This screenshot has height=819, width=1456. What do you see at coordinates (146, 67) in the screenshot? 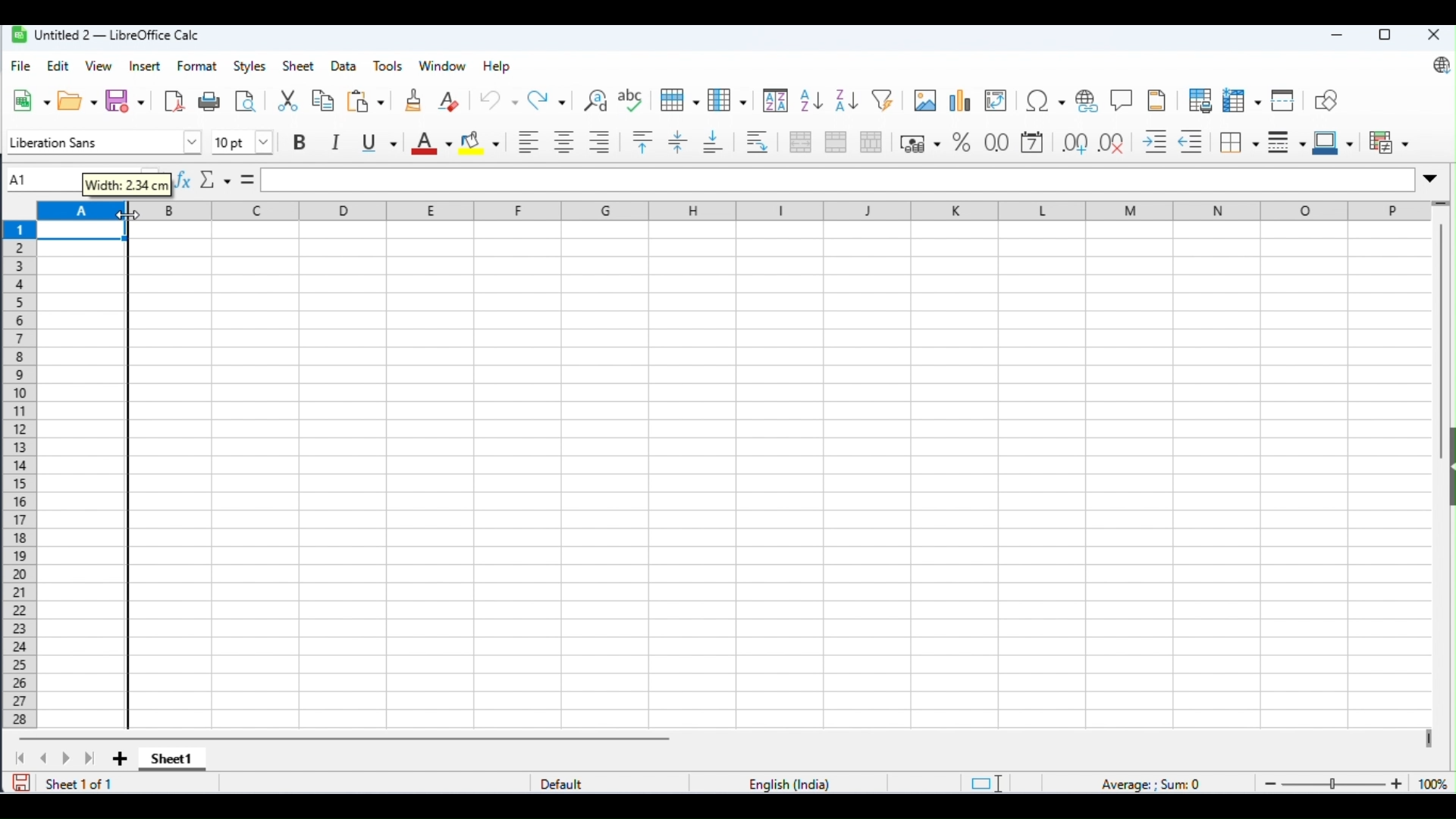
I see `insert` at bounding box center [146, 67].